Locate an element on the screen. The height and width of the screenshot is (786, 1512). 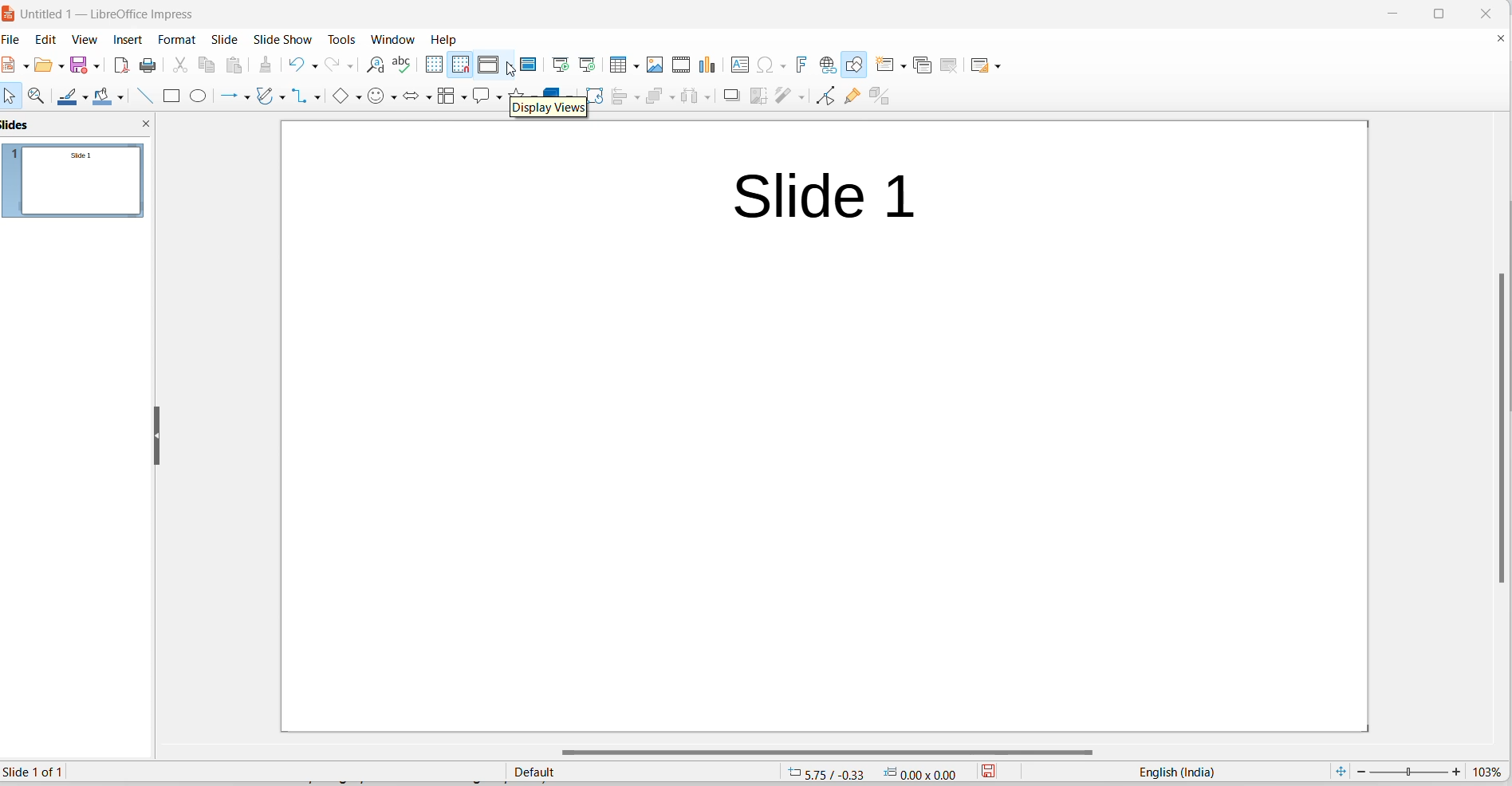
text language is located at coordinates (1177, 772).